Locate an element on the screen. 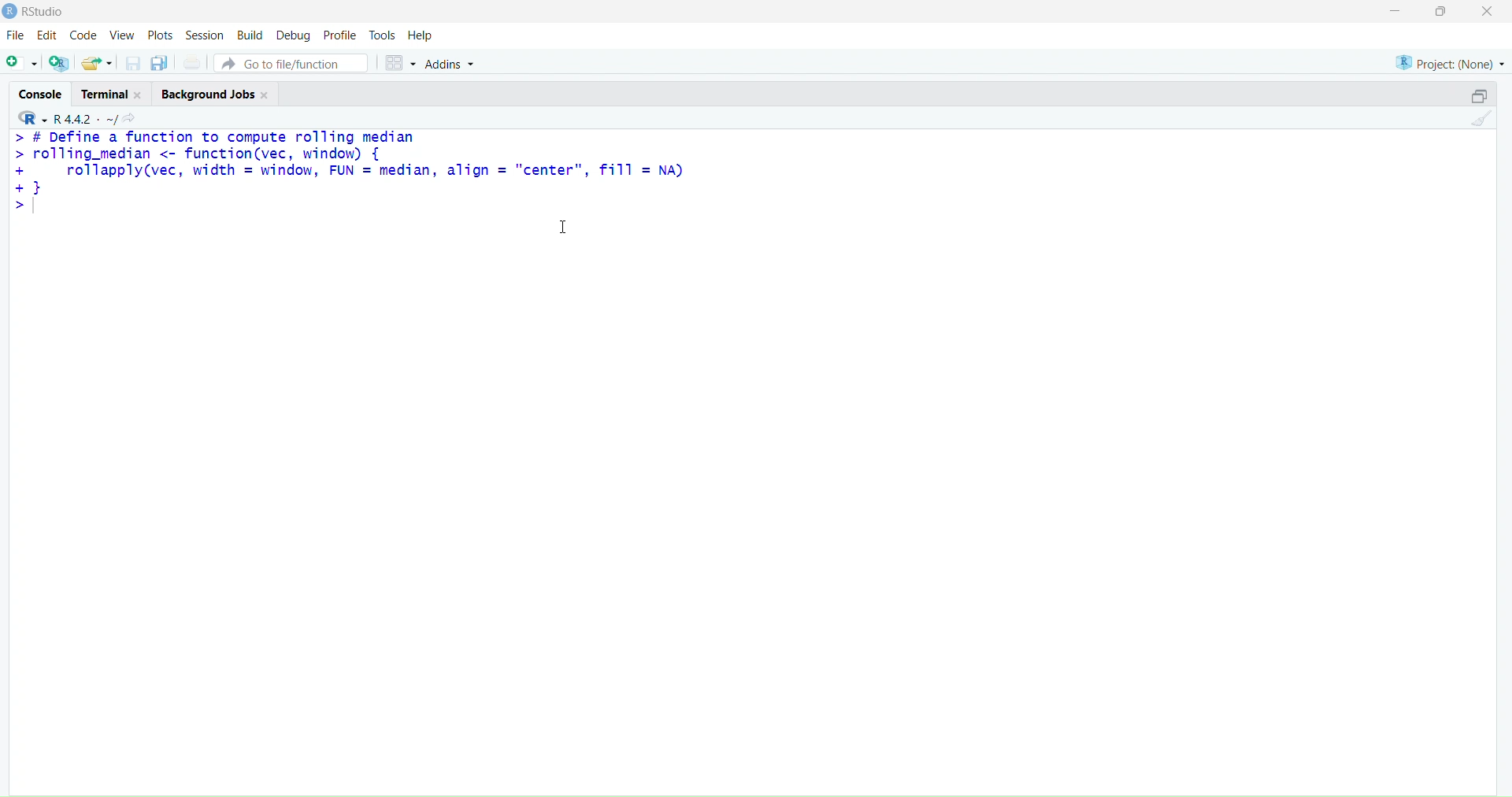  save is located at coordinates (135, 63).